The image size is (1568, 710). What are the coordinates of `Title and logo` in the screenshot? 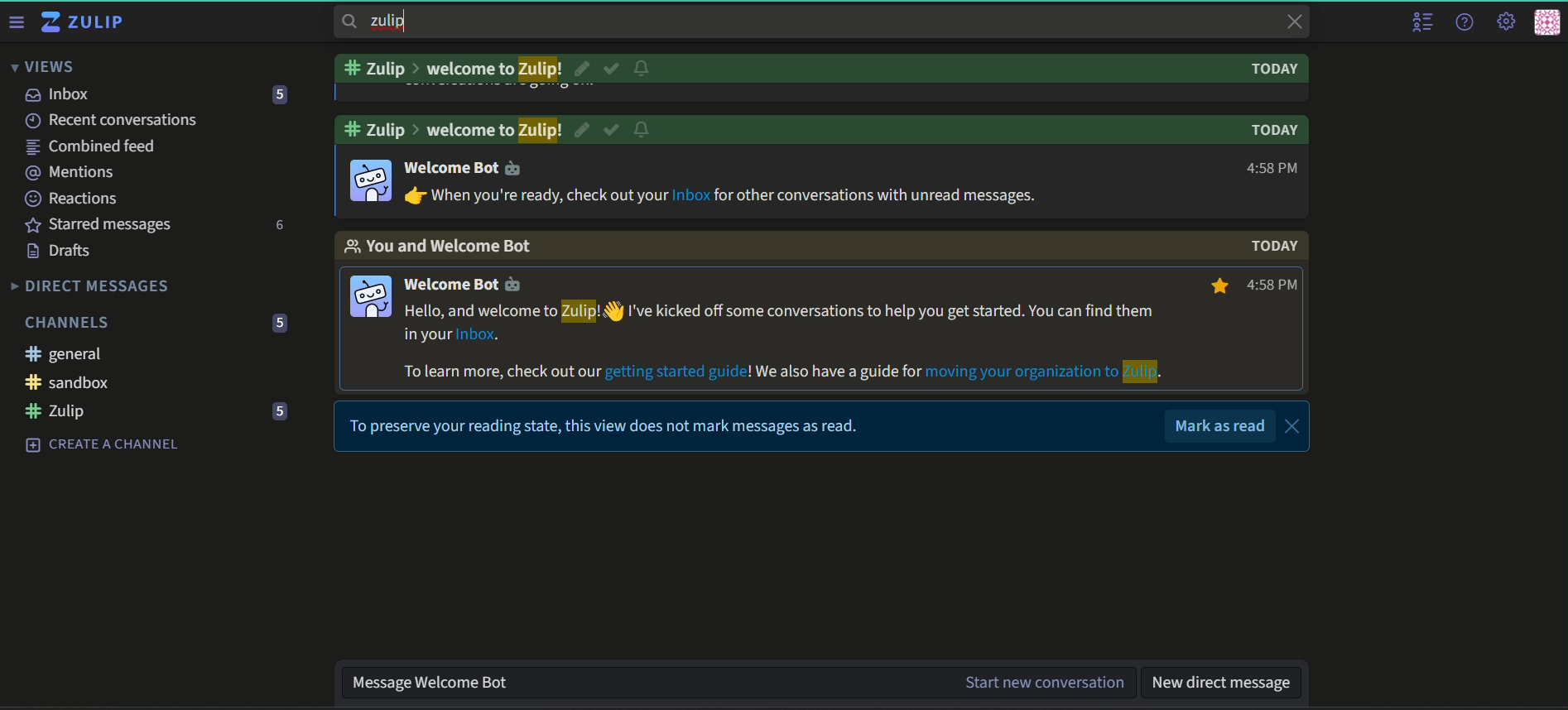 It's located at (86, 24).